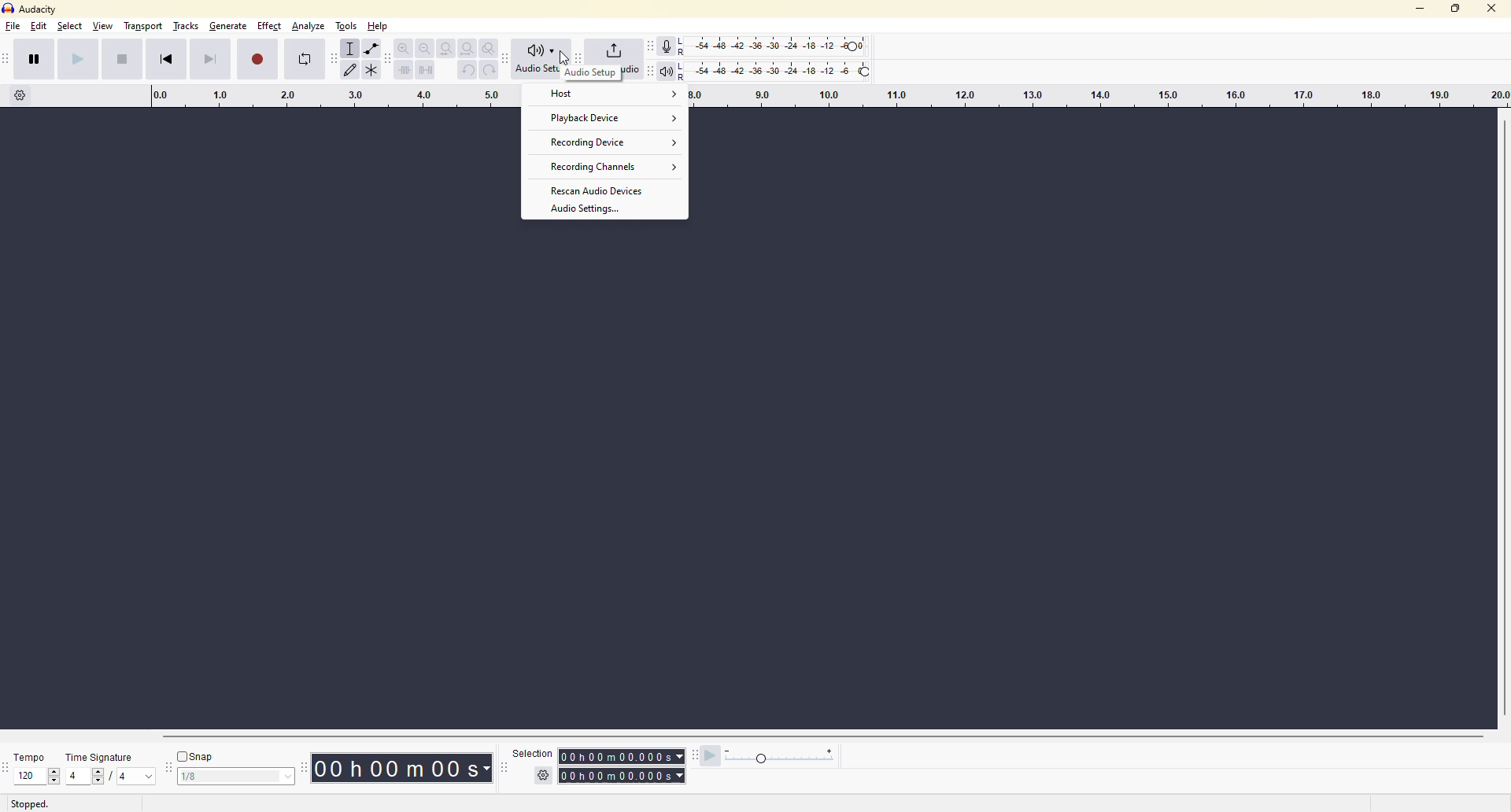 The image size is (1511, 812). I want to click on zoom toggle, so click(486, 47).